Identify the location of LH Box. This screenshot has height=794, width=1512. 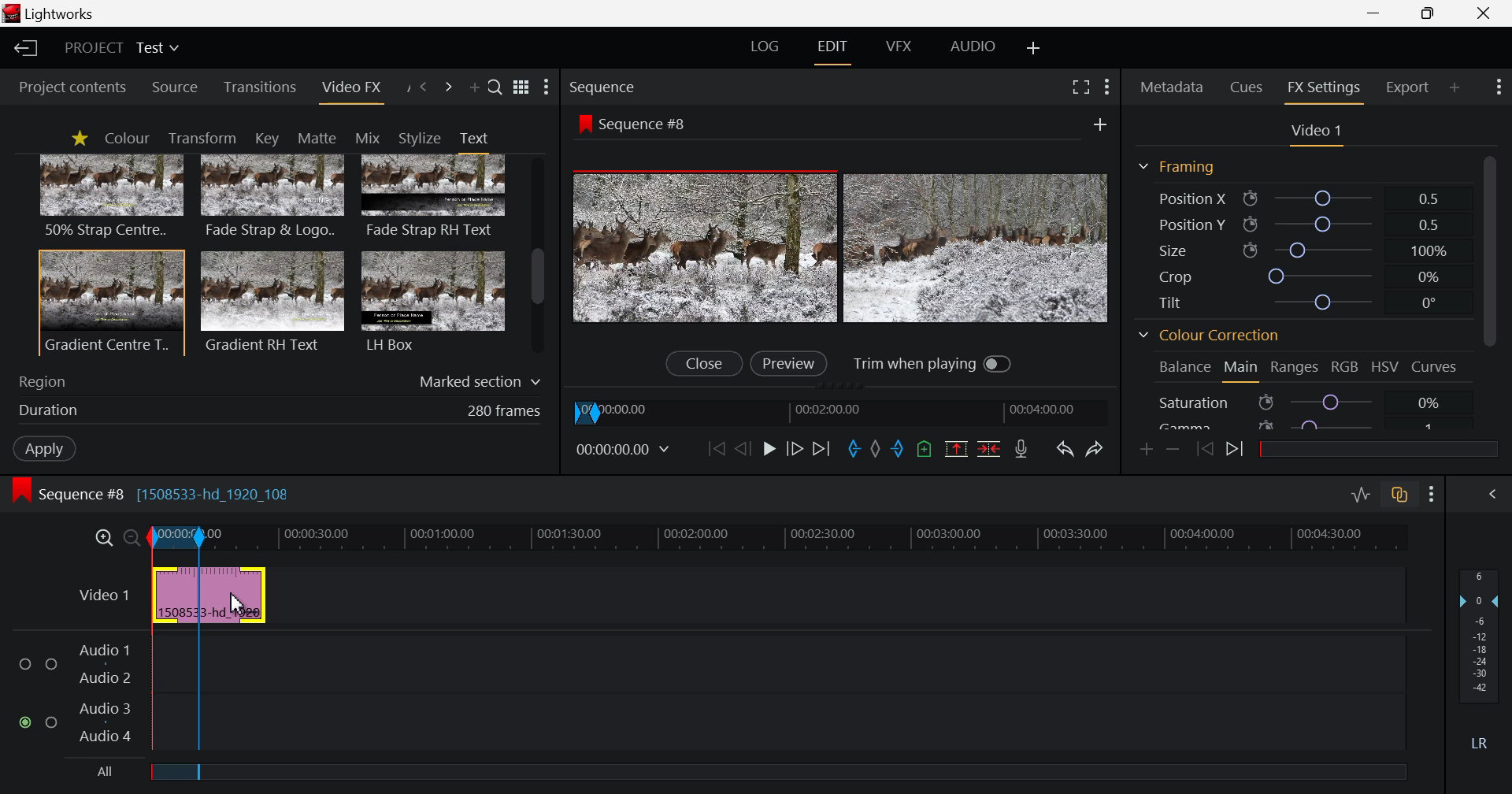
(432, 301).